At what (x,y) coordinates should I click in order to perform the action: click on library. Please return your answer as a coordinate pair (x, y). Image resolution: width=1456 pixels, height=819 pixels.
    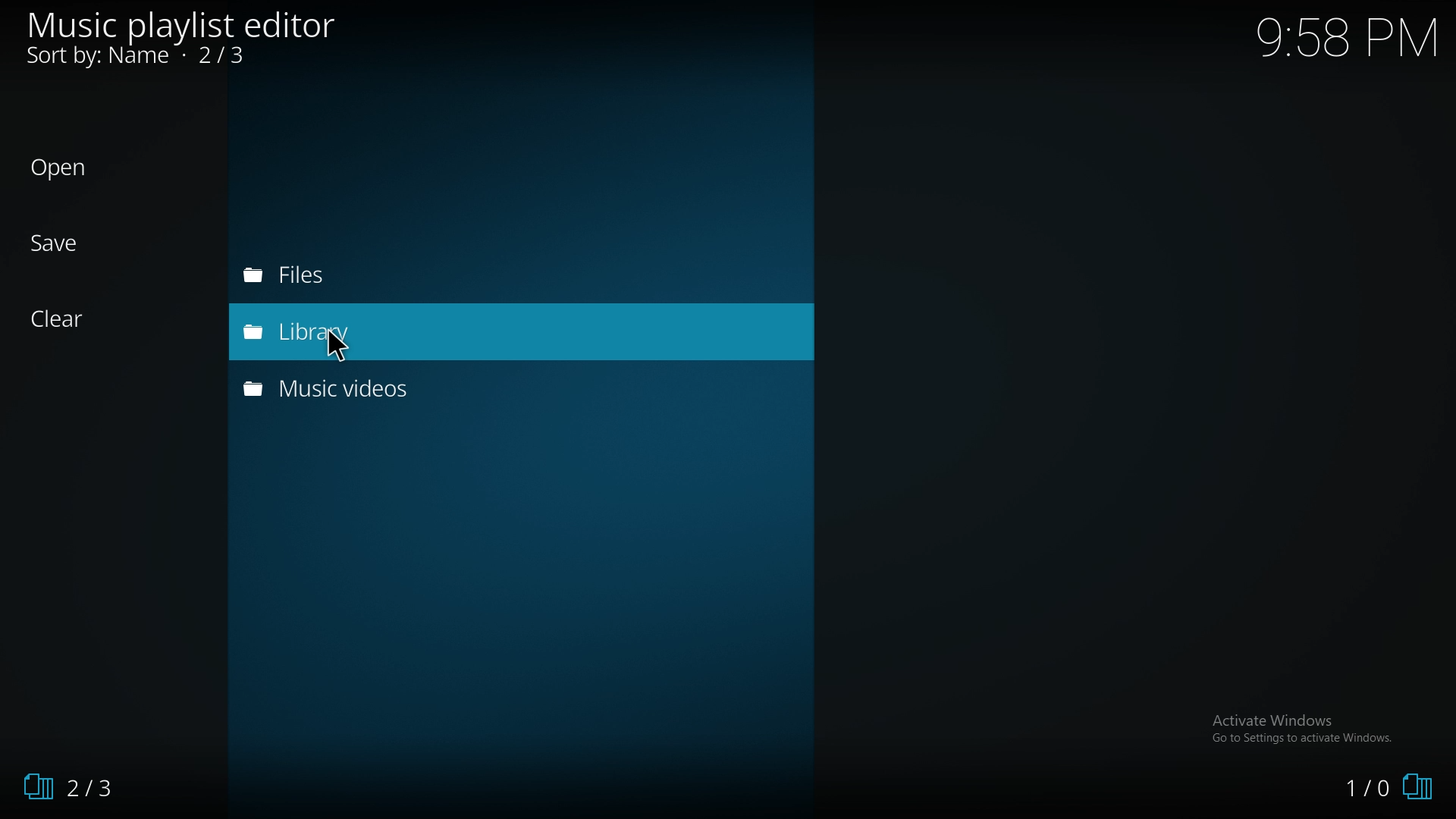
    Looking at the image, I should click on (400, 331).